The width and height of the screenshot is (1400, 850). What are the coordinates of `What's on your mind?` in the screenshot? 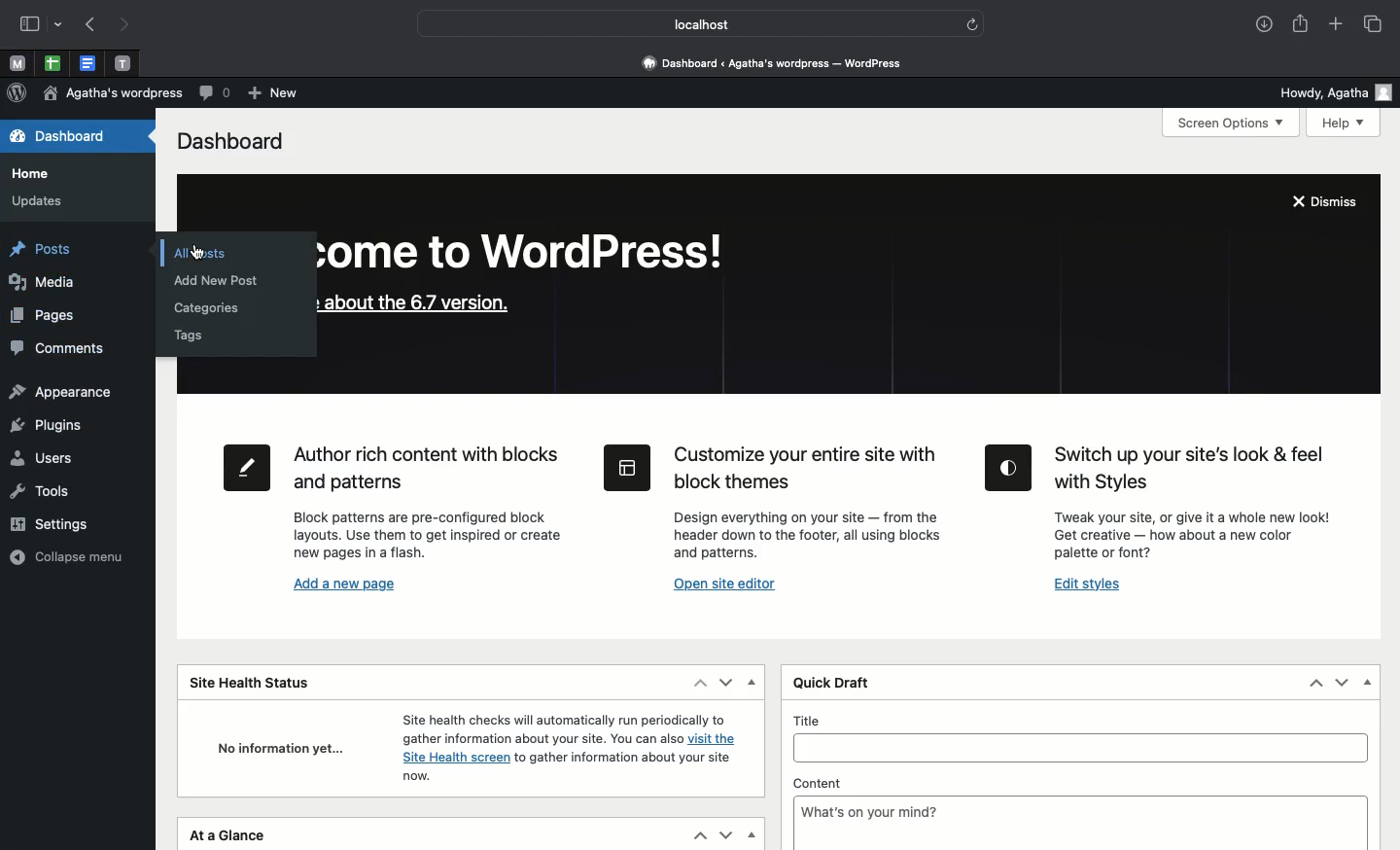 It's located at (1081, 822).